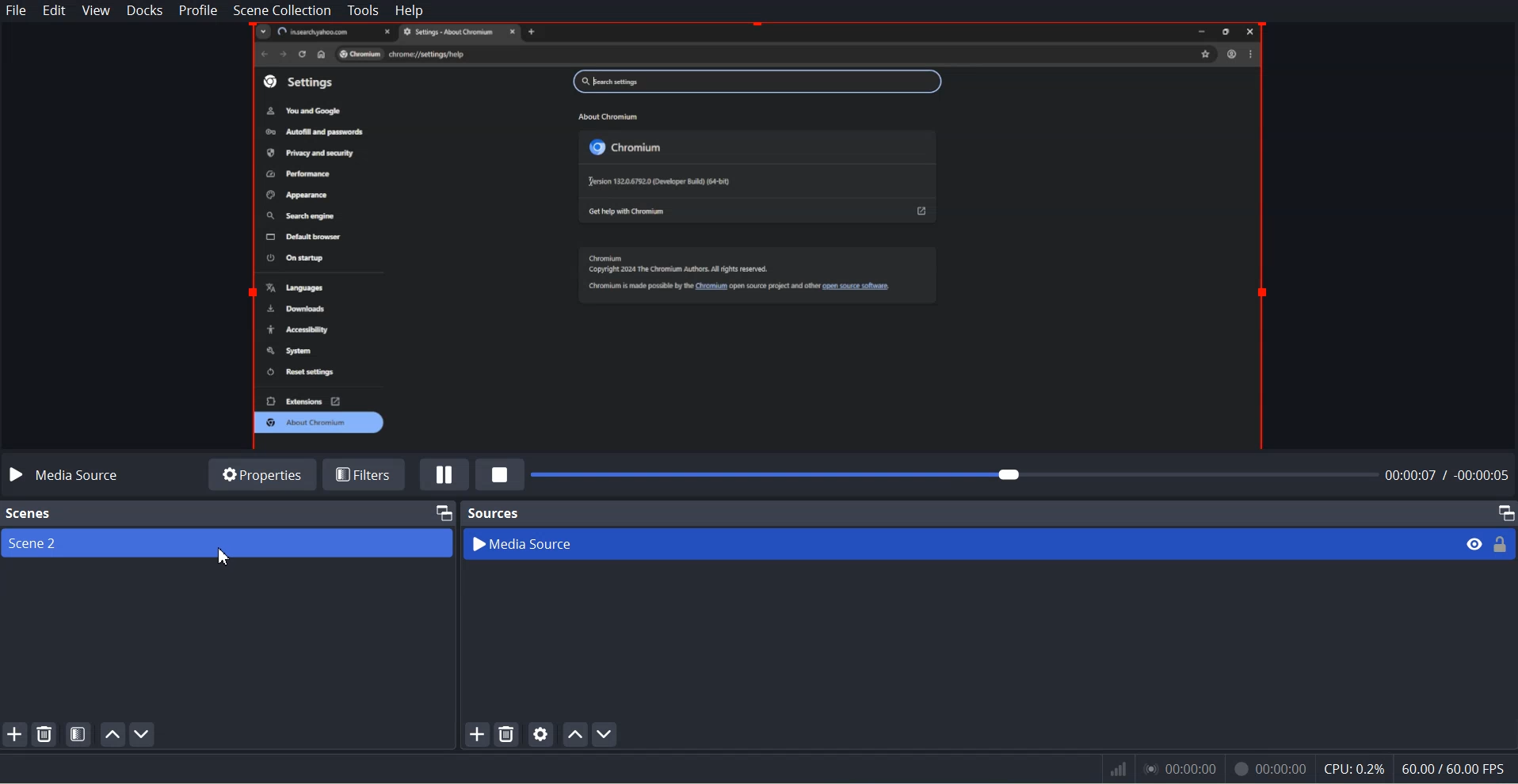 The image size is (1518, 784). What do you see at coordinates (441, 512) in the screenshot?
I see `Maximize` at bounding box center [441, 512].